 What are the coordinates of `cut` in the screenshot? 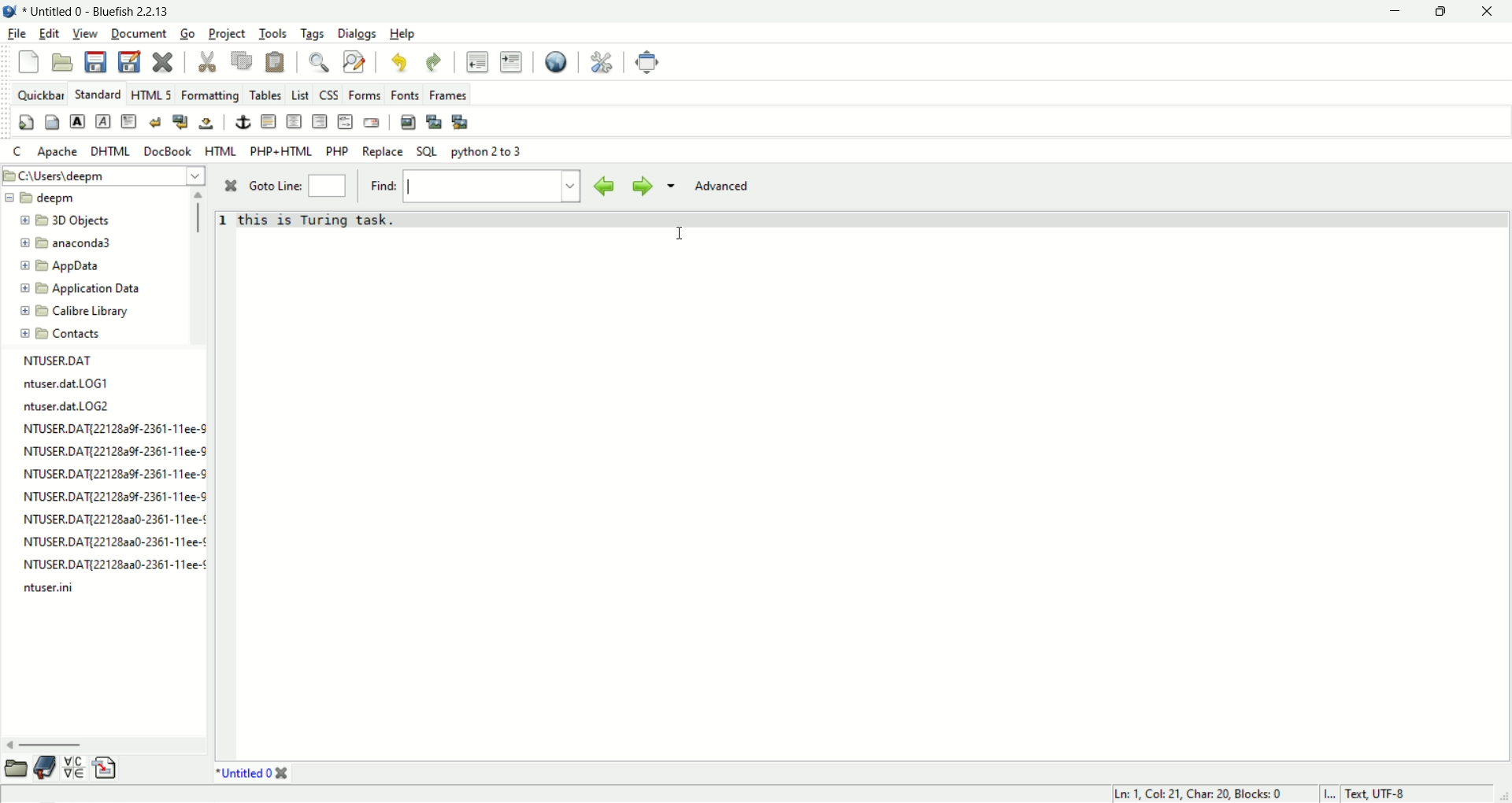 It's located at (209, 63).